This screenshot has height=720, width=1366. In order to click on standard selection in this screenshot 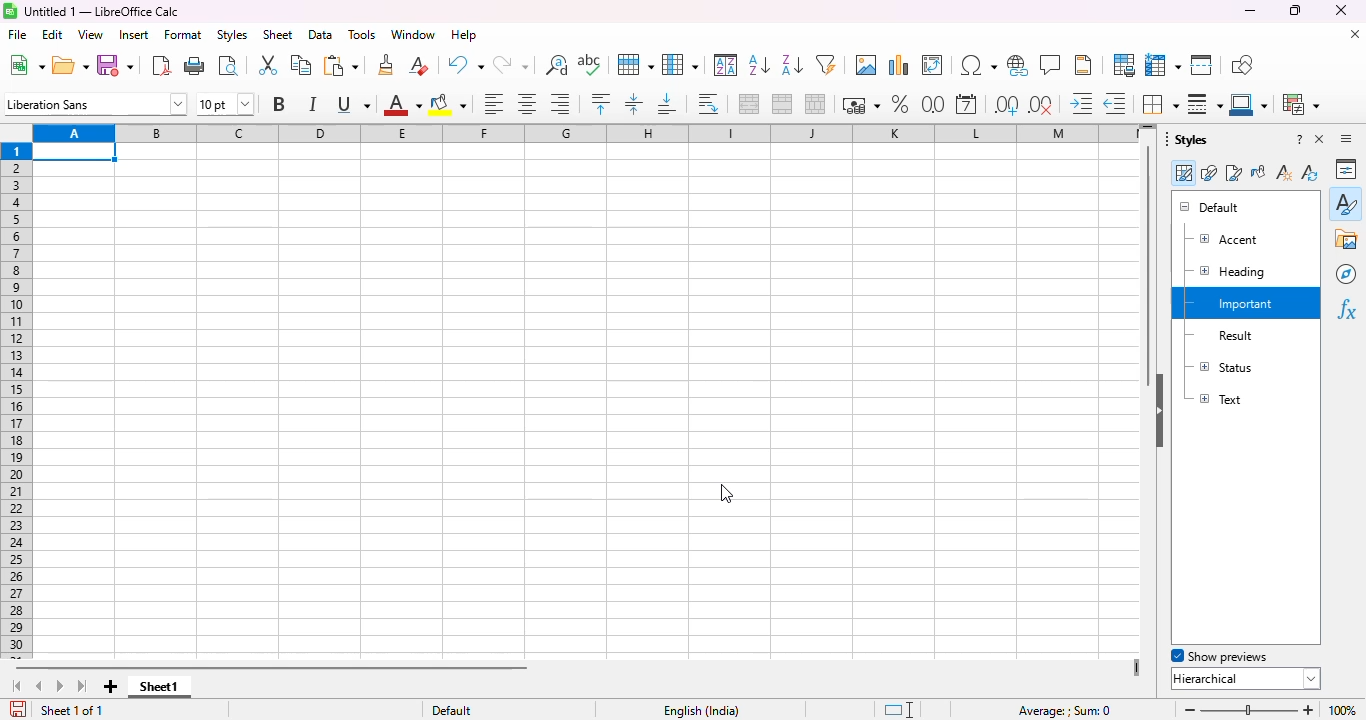, I will do `click(898, 710)`.